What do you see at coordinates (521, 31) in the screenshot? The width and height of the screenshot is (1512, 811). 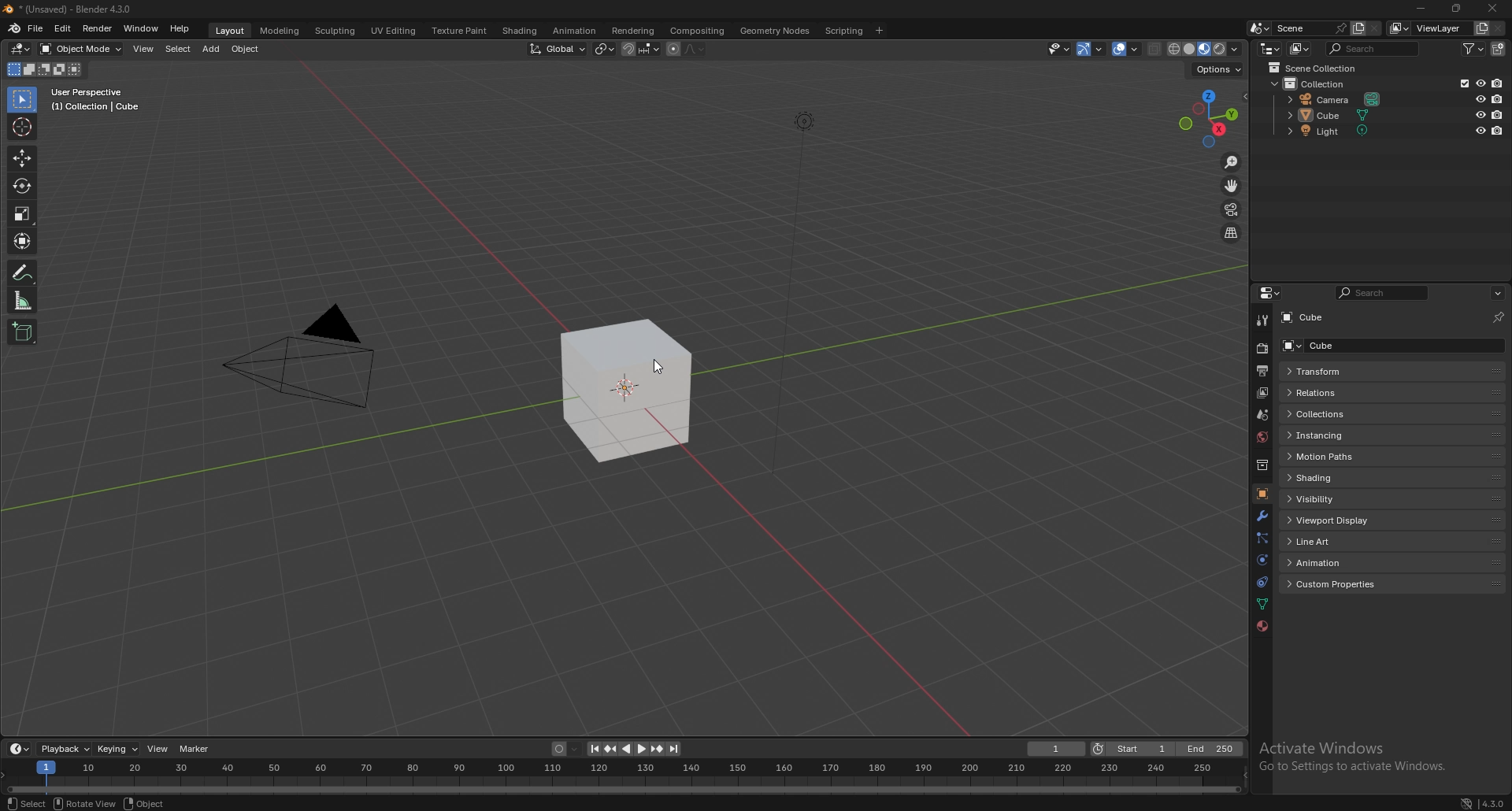 I see `shading` at bounding box center [521, 31].